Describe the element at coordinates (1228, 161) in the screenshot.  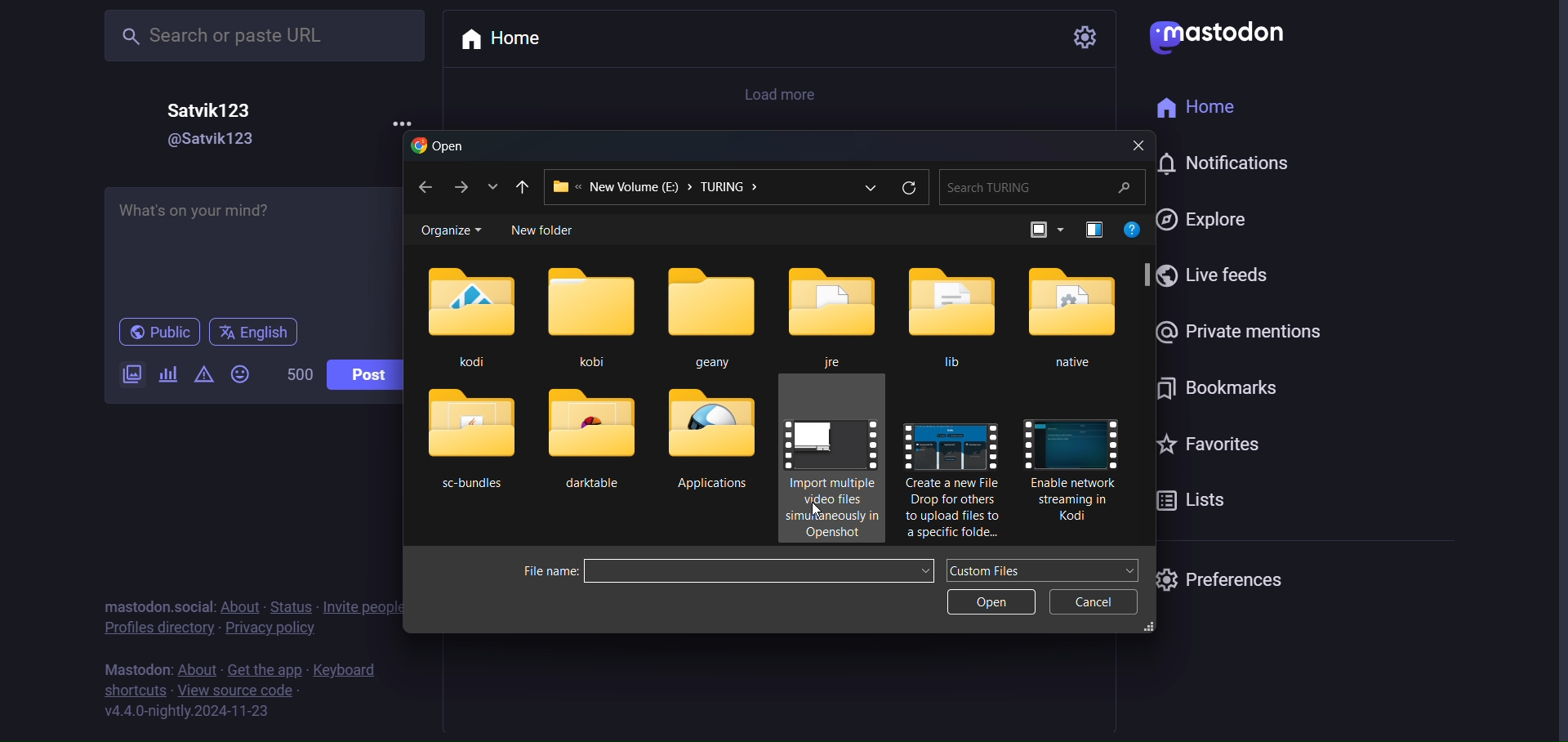
I see `notification` at that location.